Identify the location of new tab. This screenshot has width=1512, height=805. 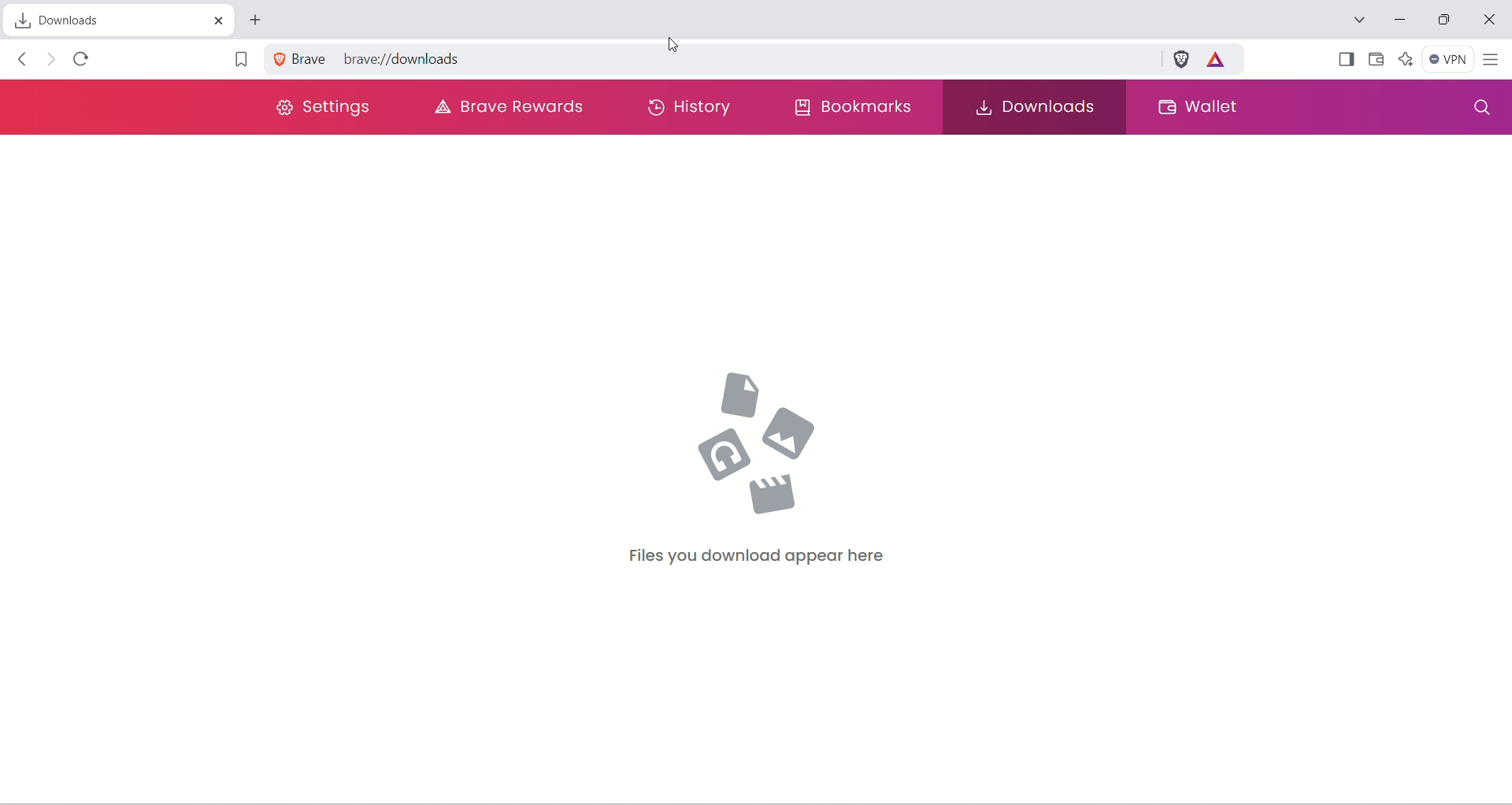
(257, 17).